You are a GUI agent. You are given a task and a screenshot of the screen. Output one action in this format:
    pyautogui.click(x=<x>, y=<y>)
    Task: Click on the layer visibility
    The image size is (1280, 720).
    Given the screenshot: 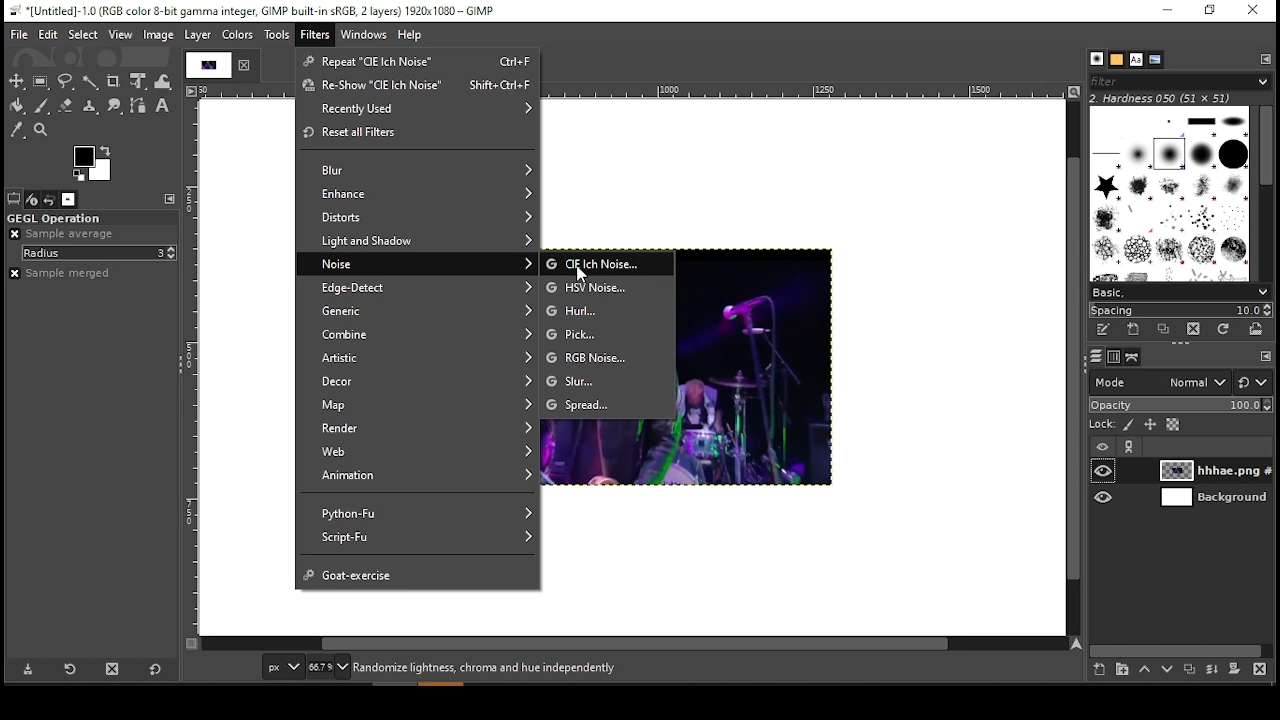 What is the action you would take?
    pyautogui.click(x=1103, y=446)
    